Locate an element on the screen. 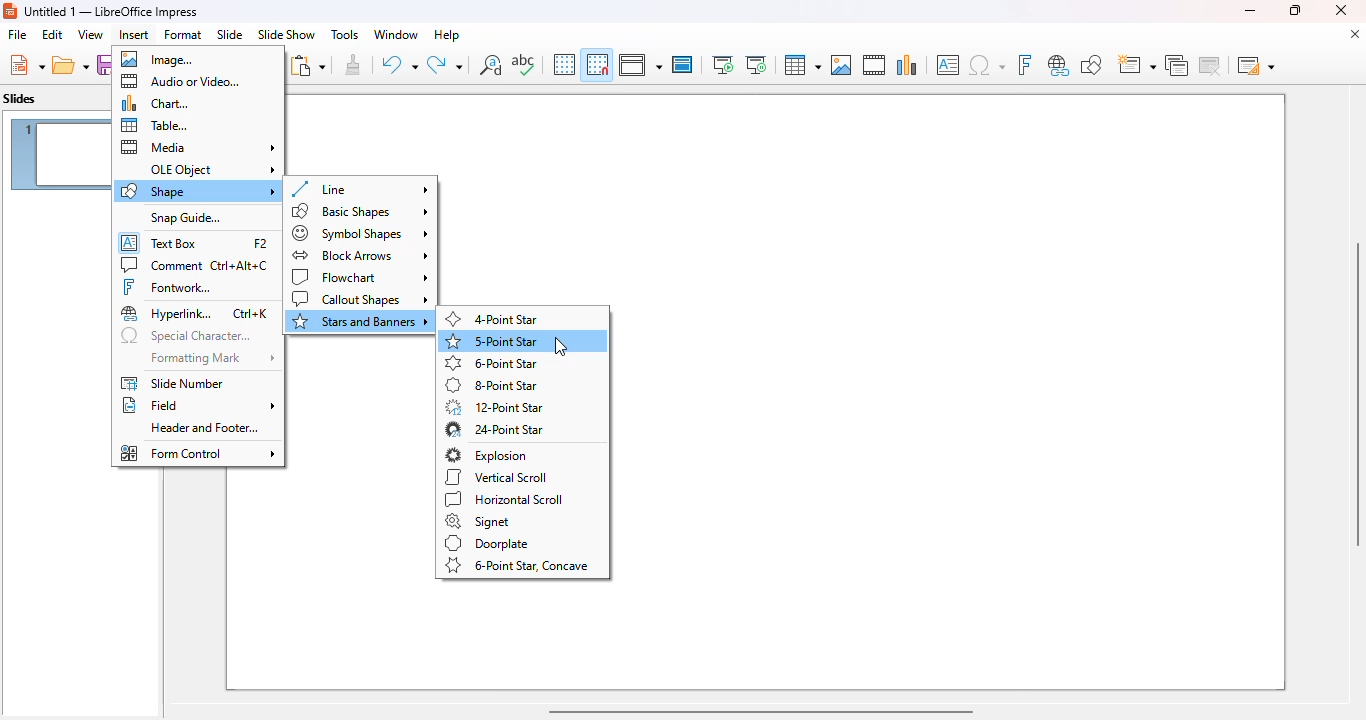  start from first slide is located at coordinates (722, 65).